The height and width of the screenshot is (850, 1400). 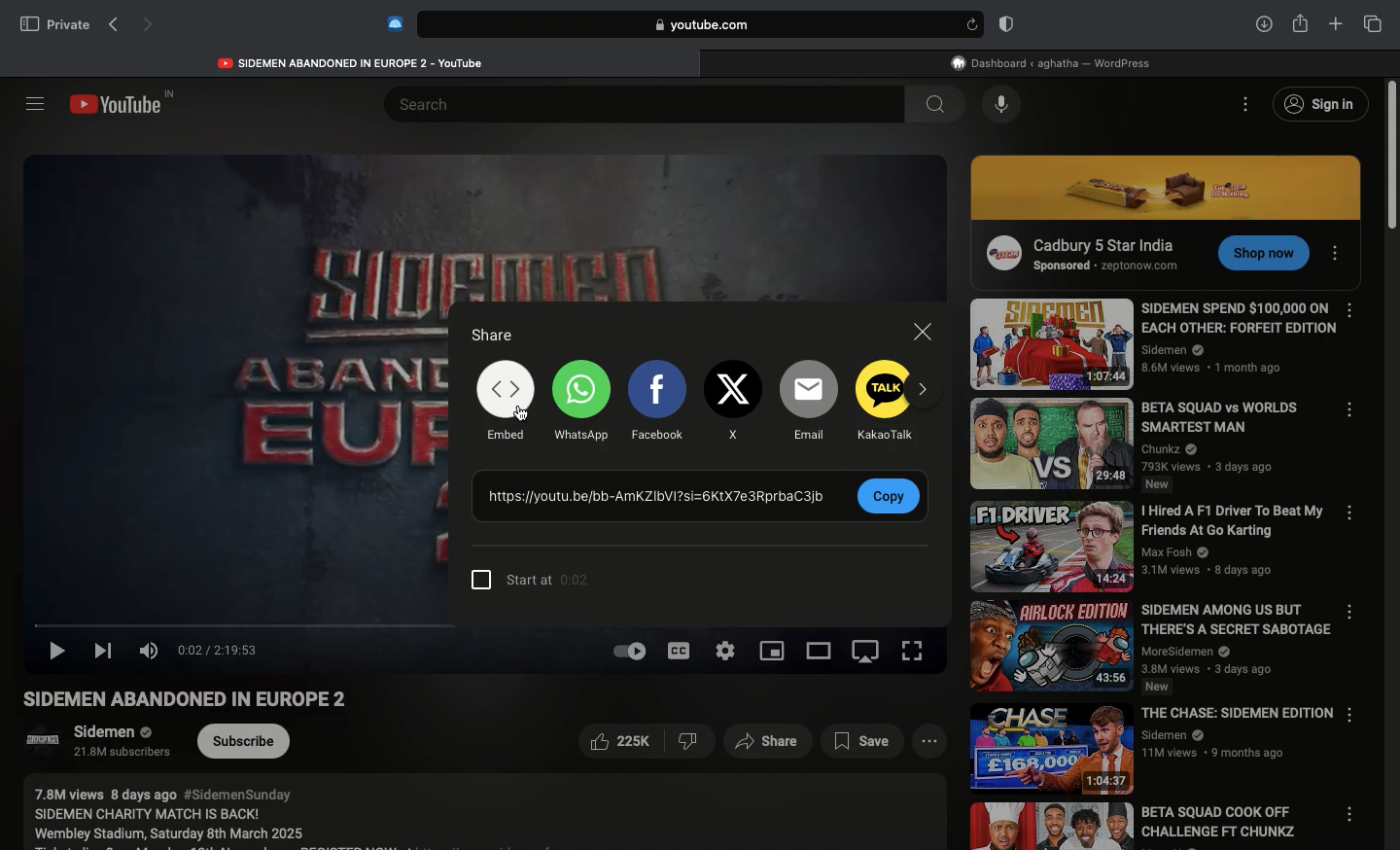 I want to click on Sharing screen, so click(x=775, y=652).